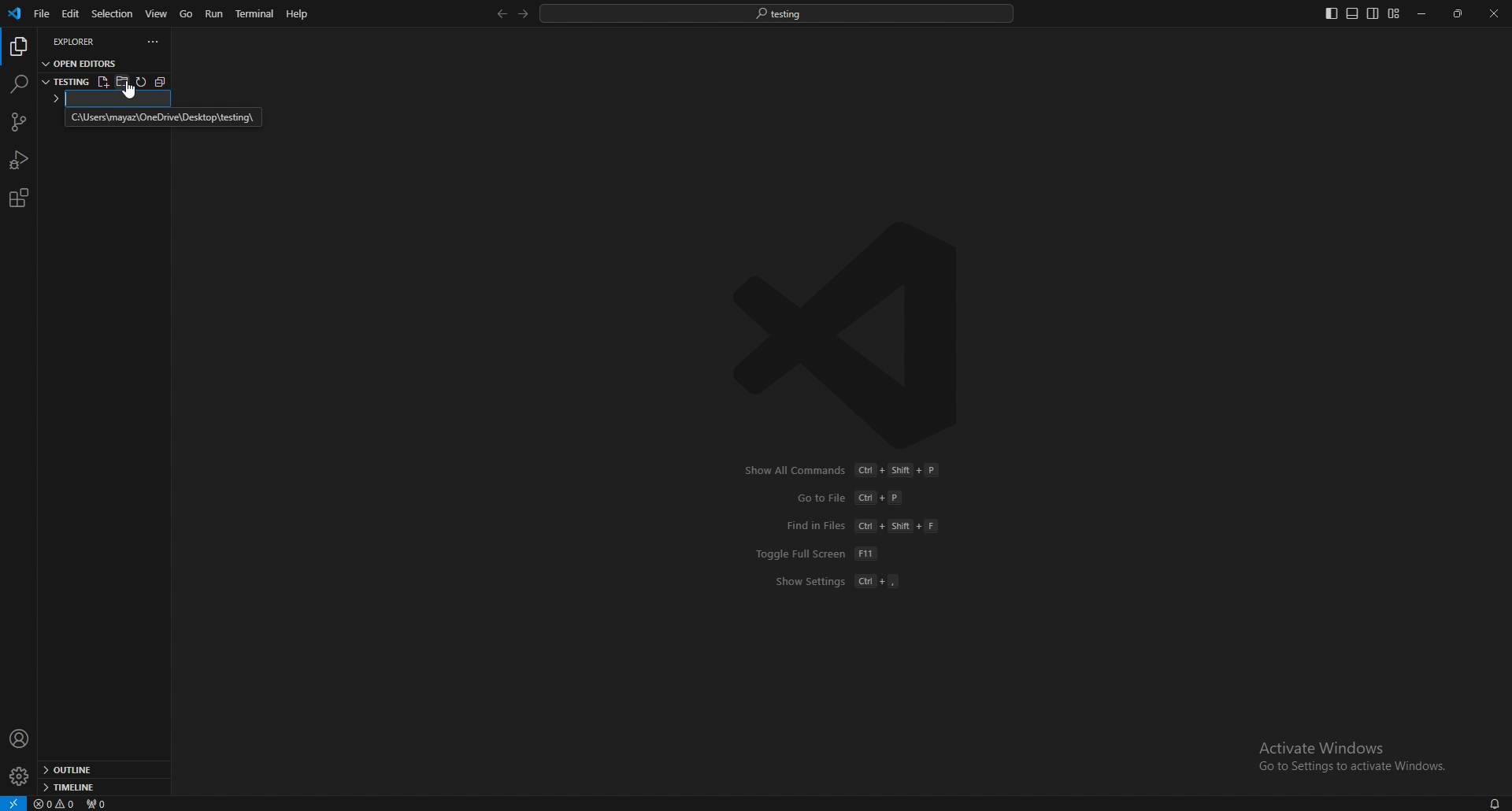  I want to click on go, so click(187, 14).